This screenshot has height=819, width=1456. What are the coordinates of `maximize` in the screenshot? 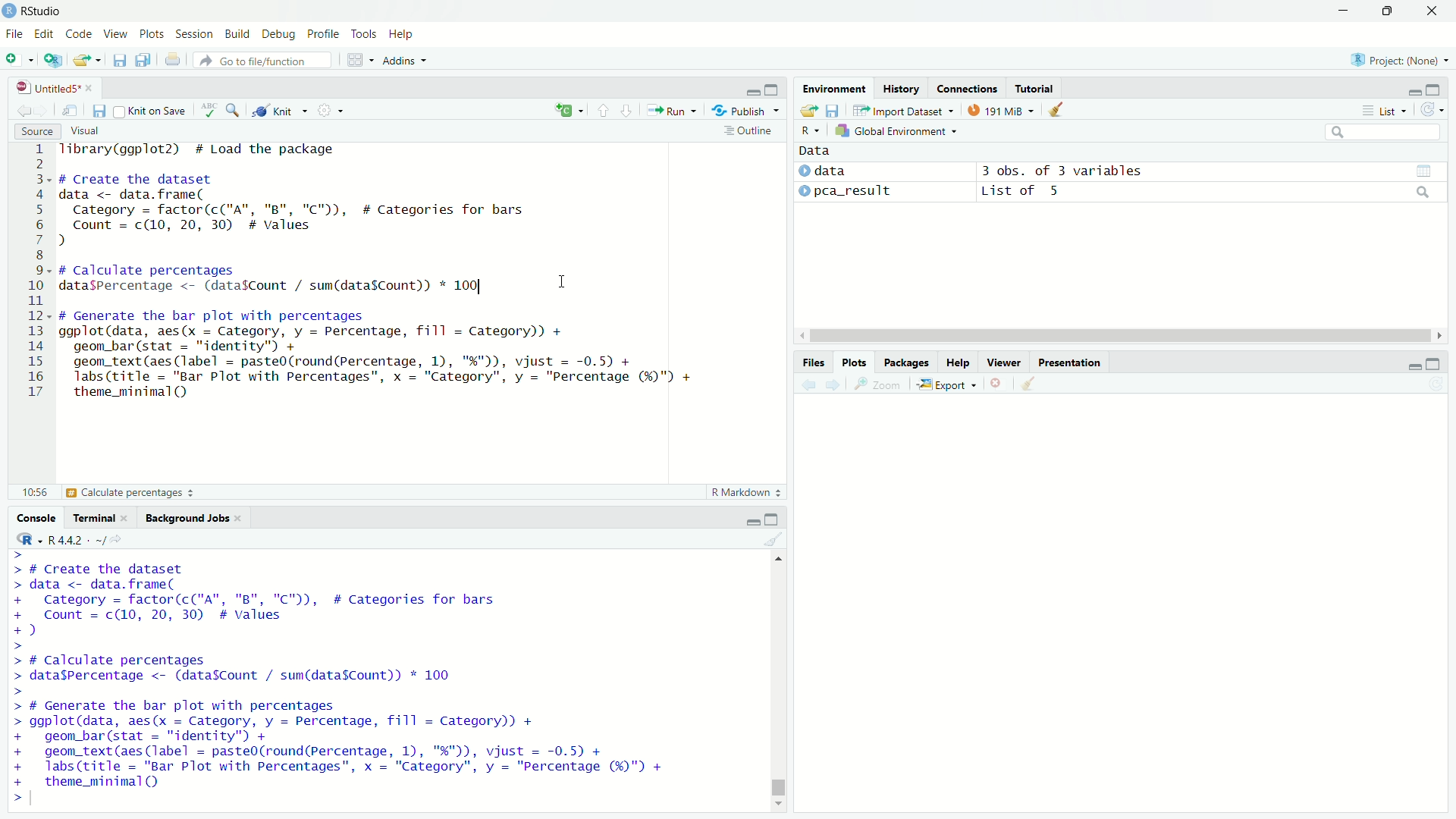 It's located at (776, 518).